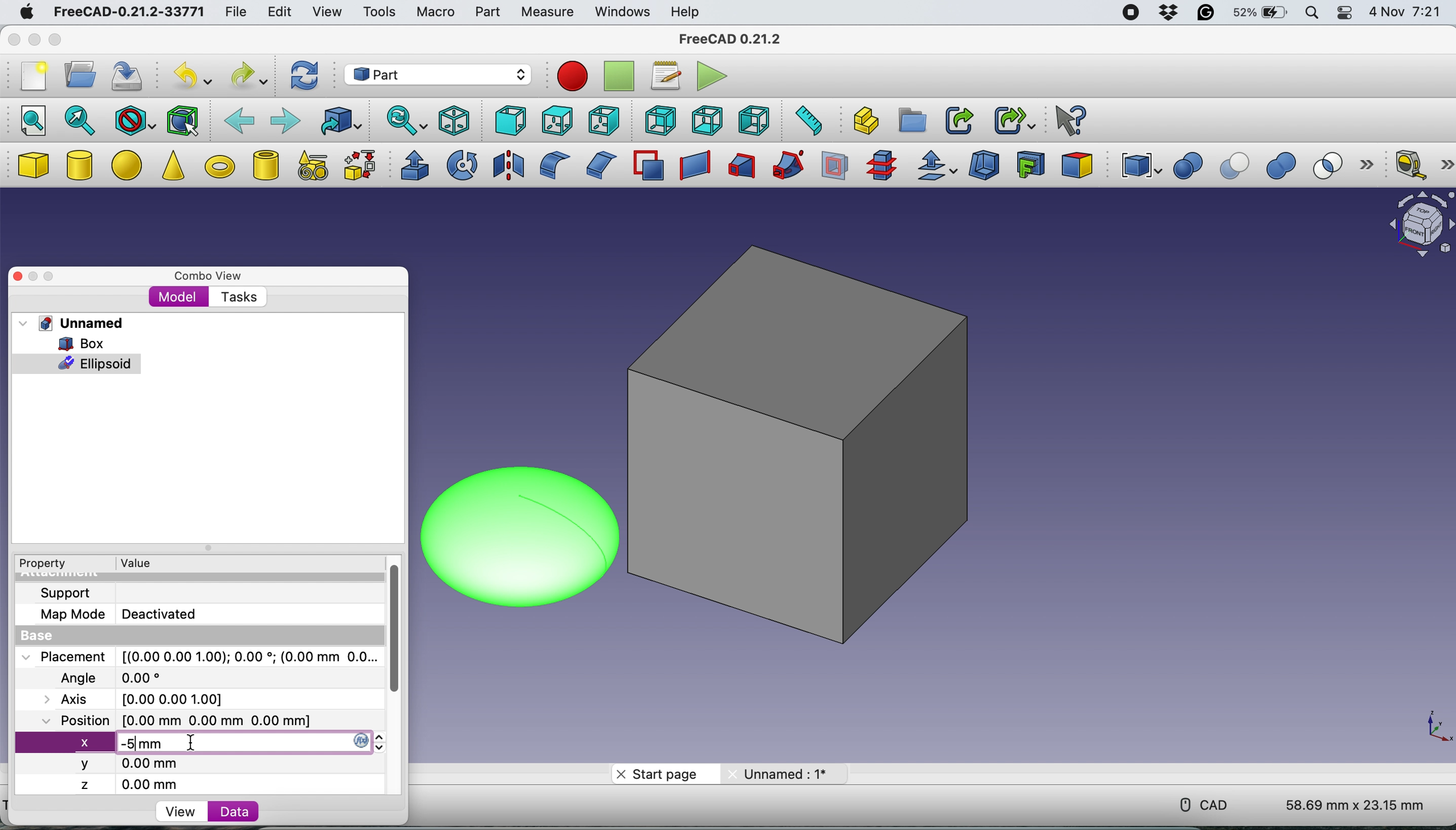 The image size is (1456, 830). What do you see at coordinates (390, 625) in the screenshot?
I see `vertical scroll bar` at bounding box center [390, 625].